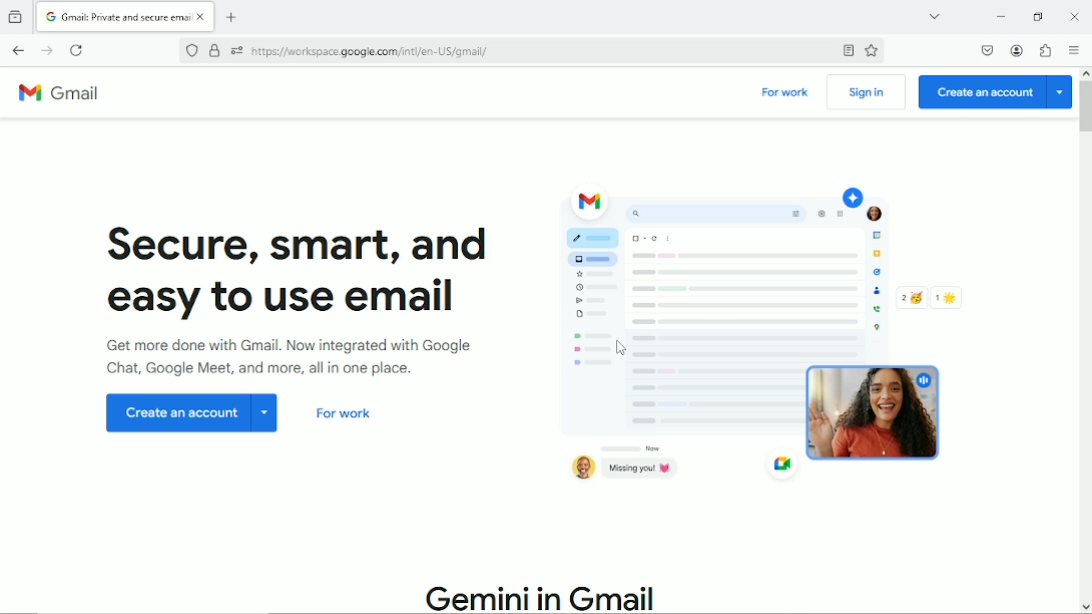 The height and width of the screenshot is (614, 1092). What do you see at coordinates (986, 50) in the screenshot?
I see `Save to pocket` at bounding box center [986, 50].